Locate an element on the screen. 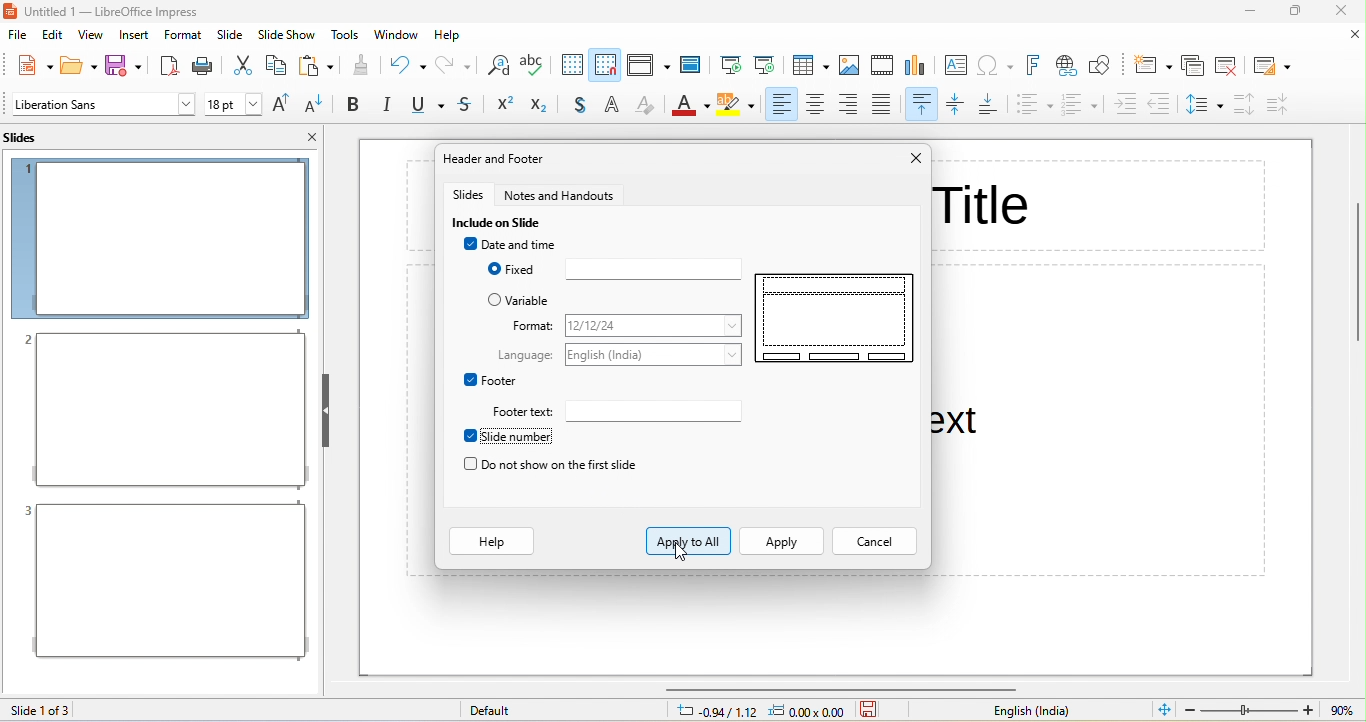 The height and width of the screenshot is (722, 1366). Checkbox is located at coordinates (469, 464).